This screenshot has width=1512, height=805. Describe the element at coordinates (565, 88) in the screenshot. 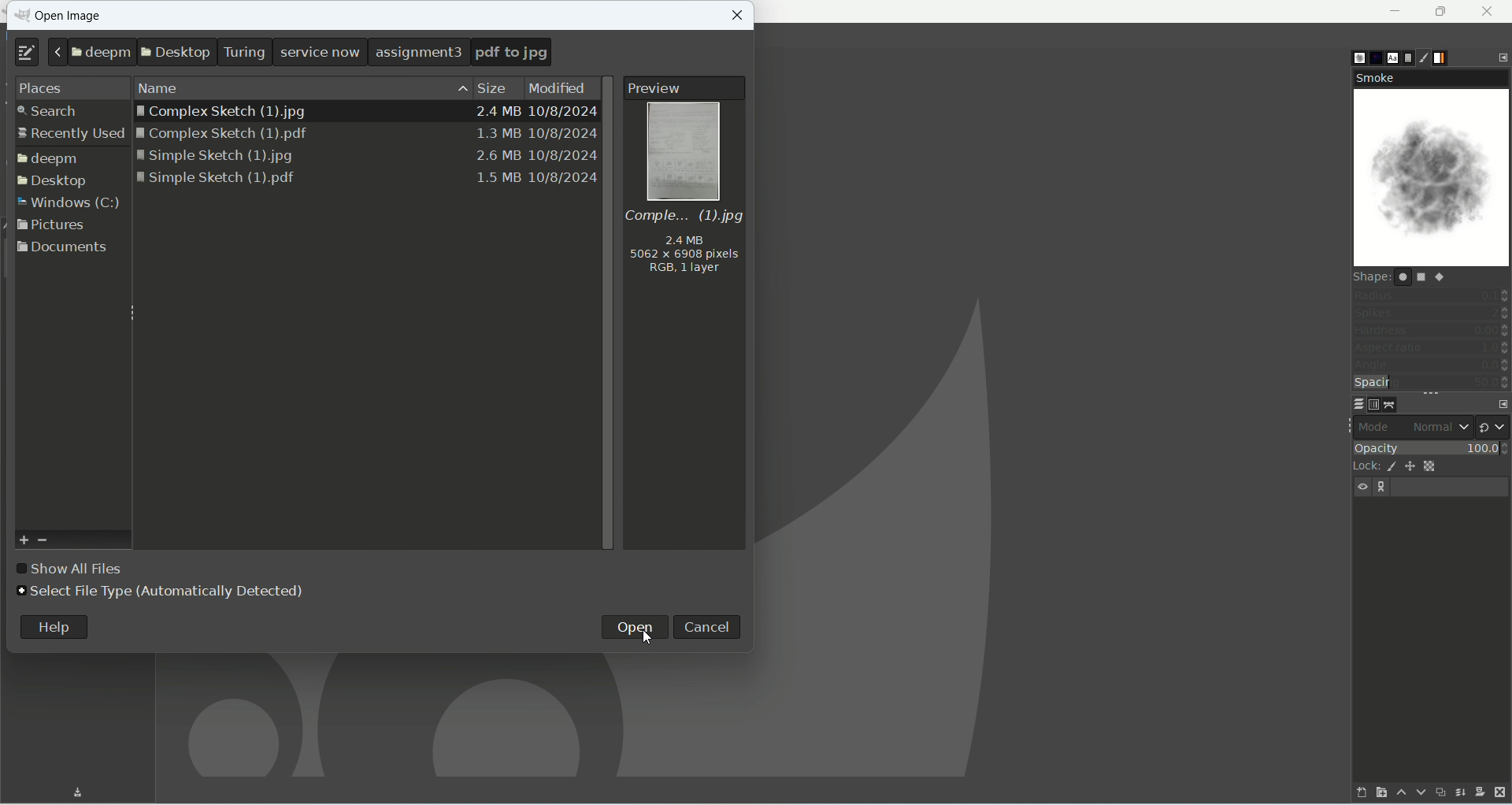

I see `modified` at that location.